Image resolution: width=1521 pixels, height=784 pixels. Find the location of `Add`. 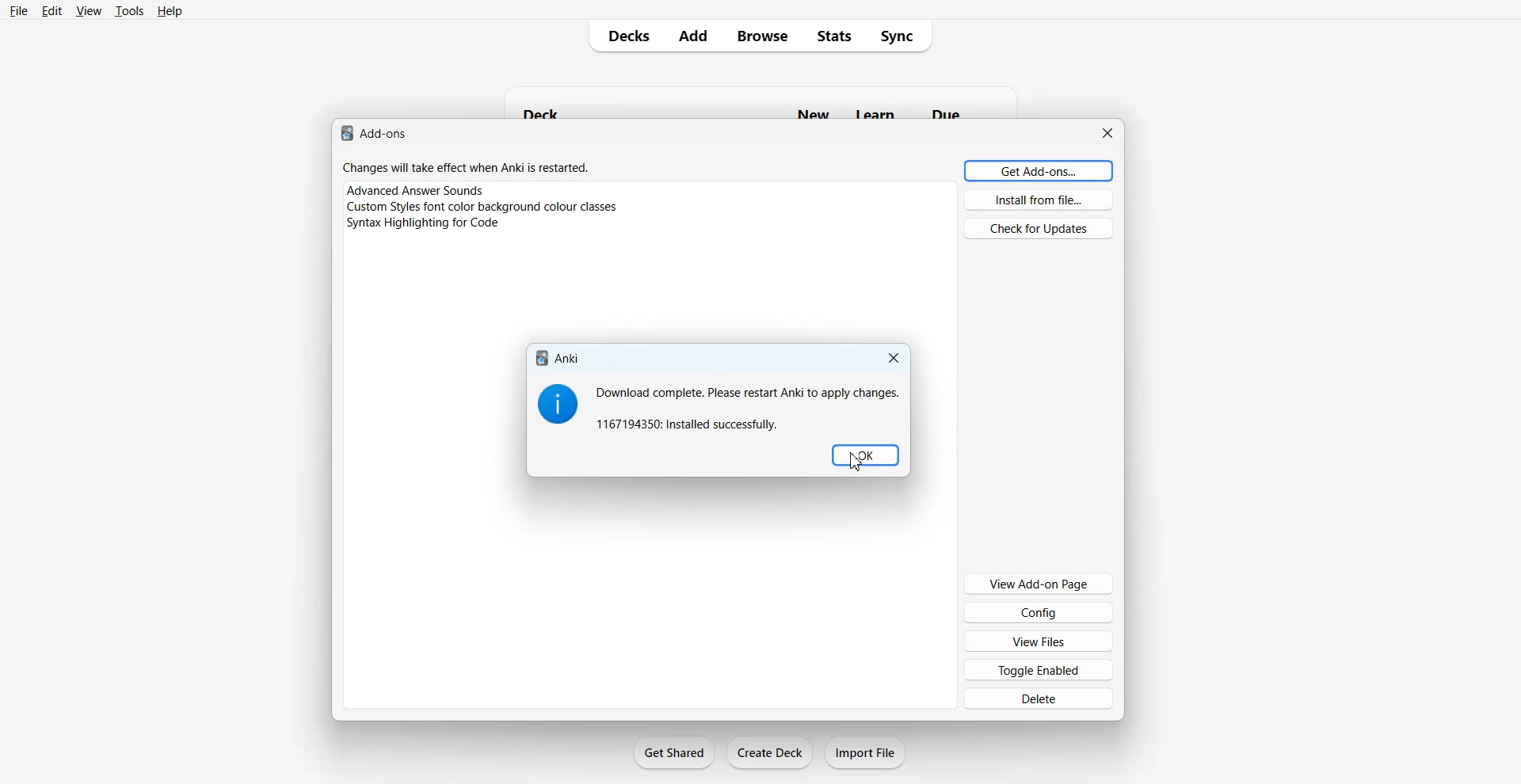

Add is located at coordinates (694, 36).